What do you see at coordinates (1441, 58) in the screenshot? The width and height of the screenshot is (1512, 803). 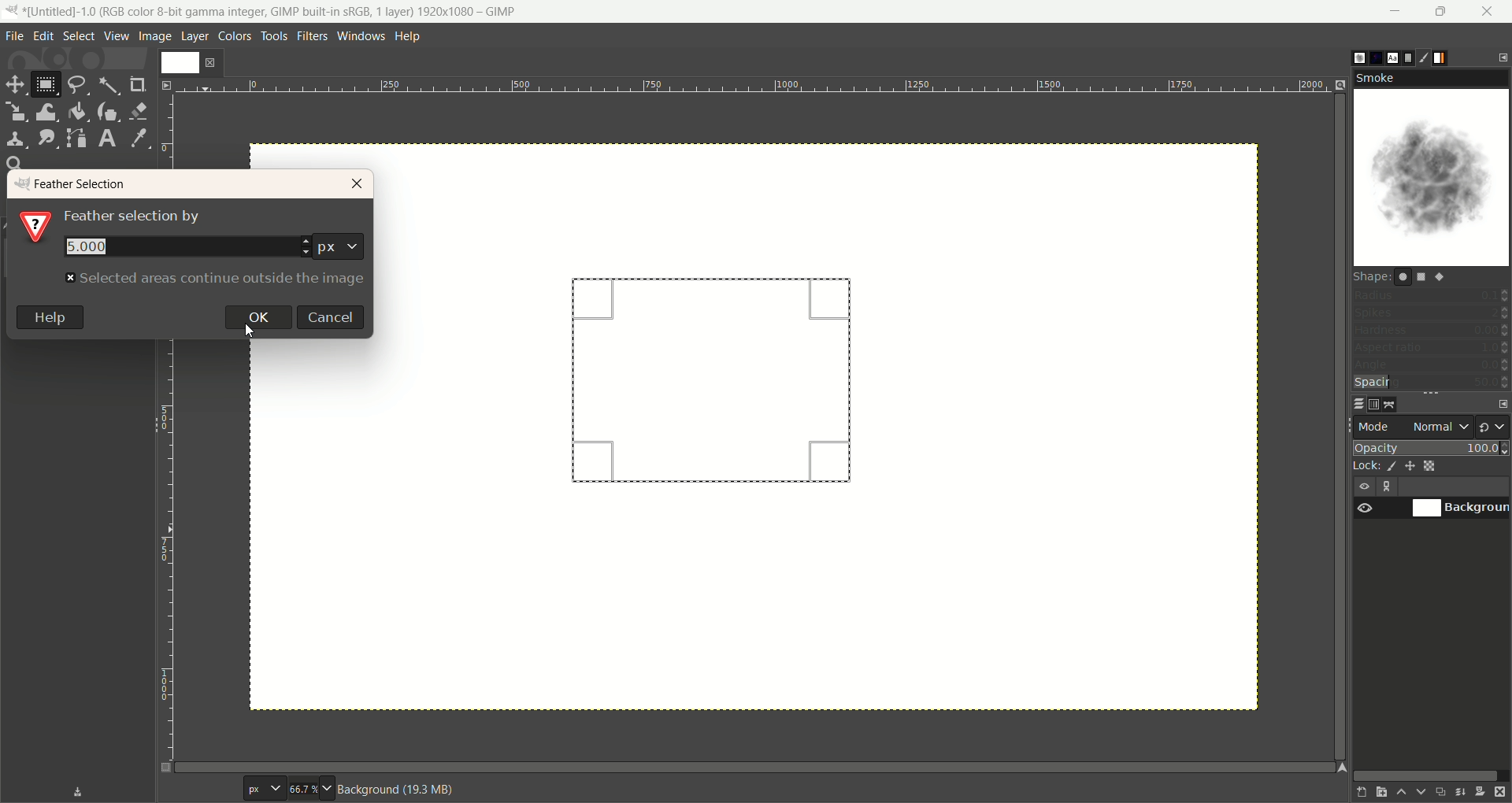 I see `gradient` at bounding box center [1441, 58].